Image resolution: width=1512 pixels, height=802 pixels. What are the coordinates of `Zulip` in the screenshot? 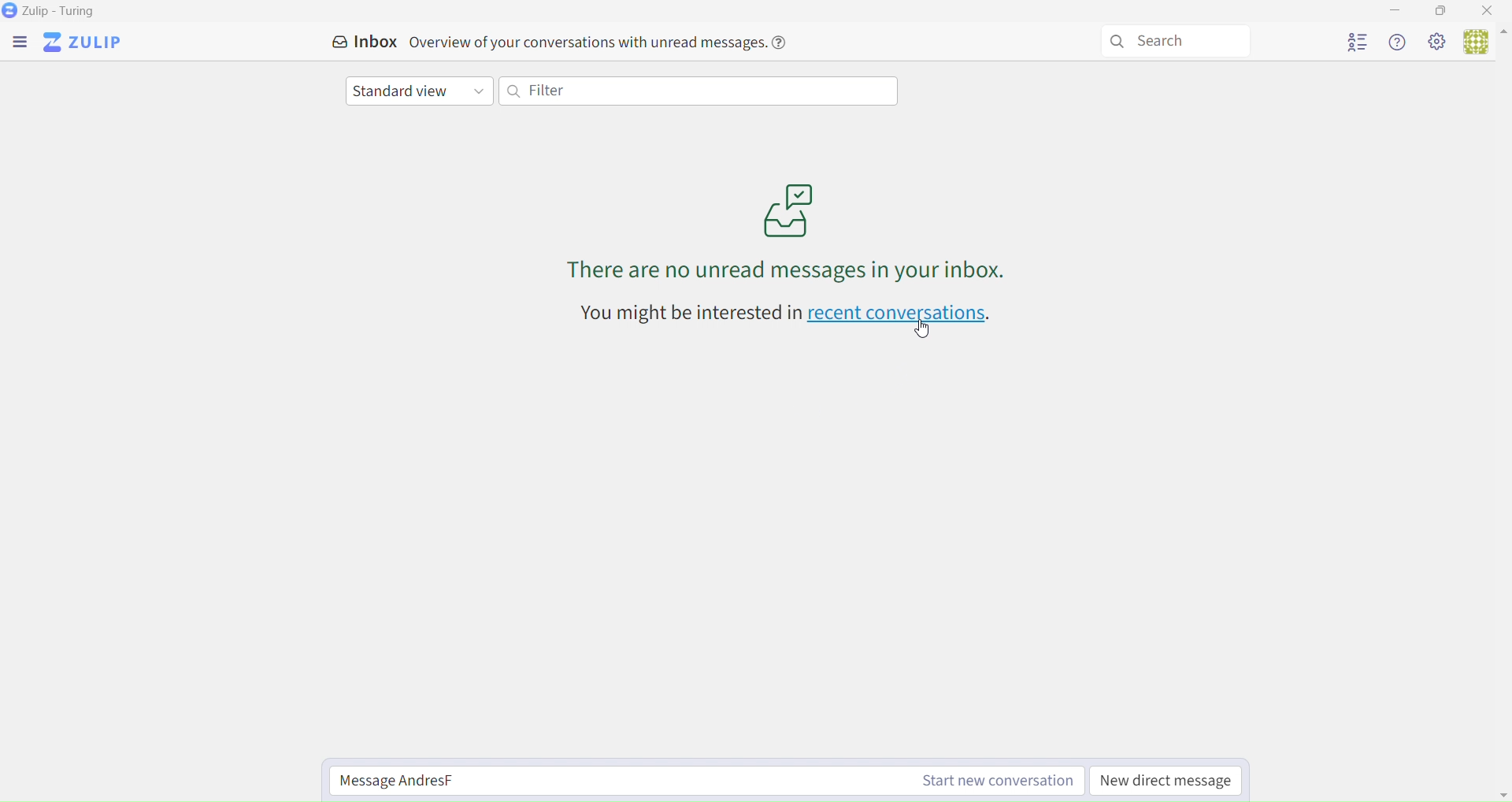 It's located at (91, 42).